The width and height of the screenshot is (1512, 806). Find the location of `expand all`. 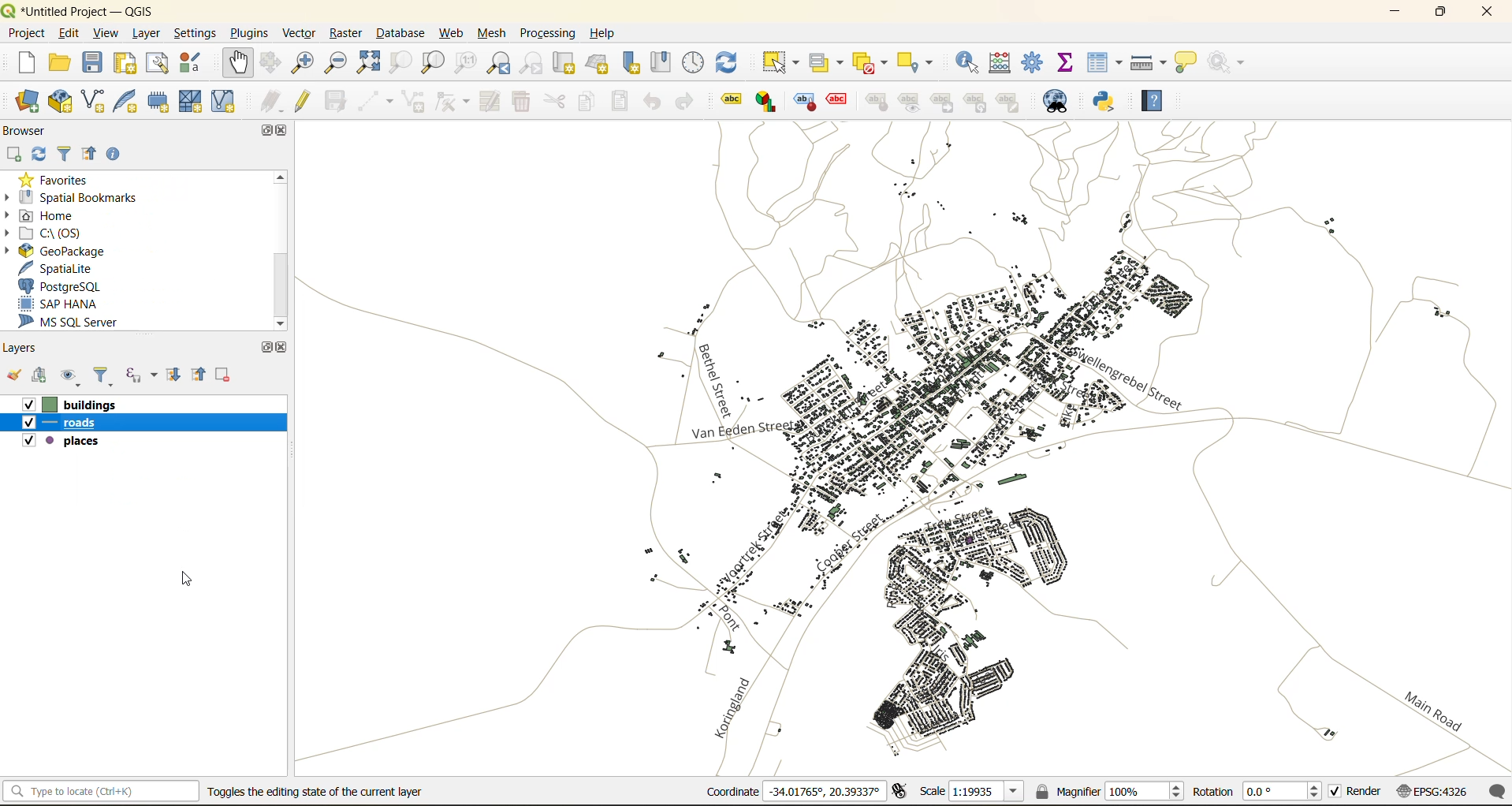

expand all is located at coordinates (172, 375).